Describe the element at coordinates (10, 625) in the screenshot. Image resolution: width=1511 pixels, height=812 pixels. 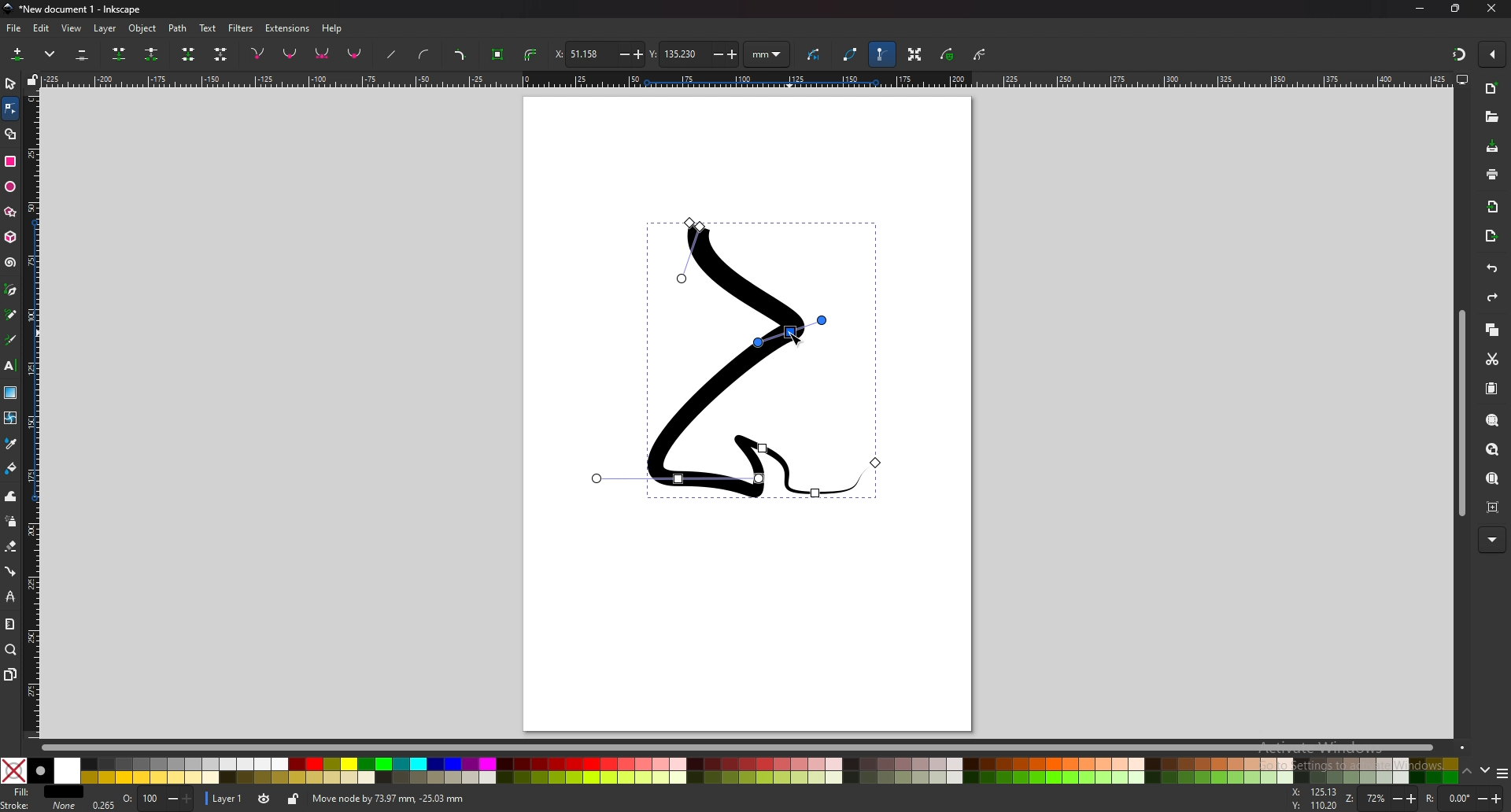
I see `measure` at that location.